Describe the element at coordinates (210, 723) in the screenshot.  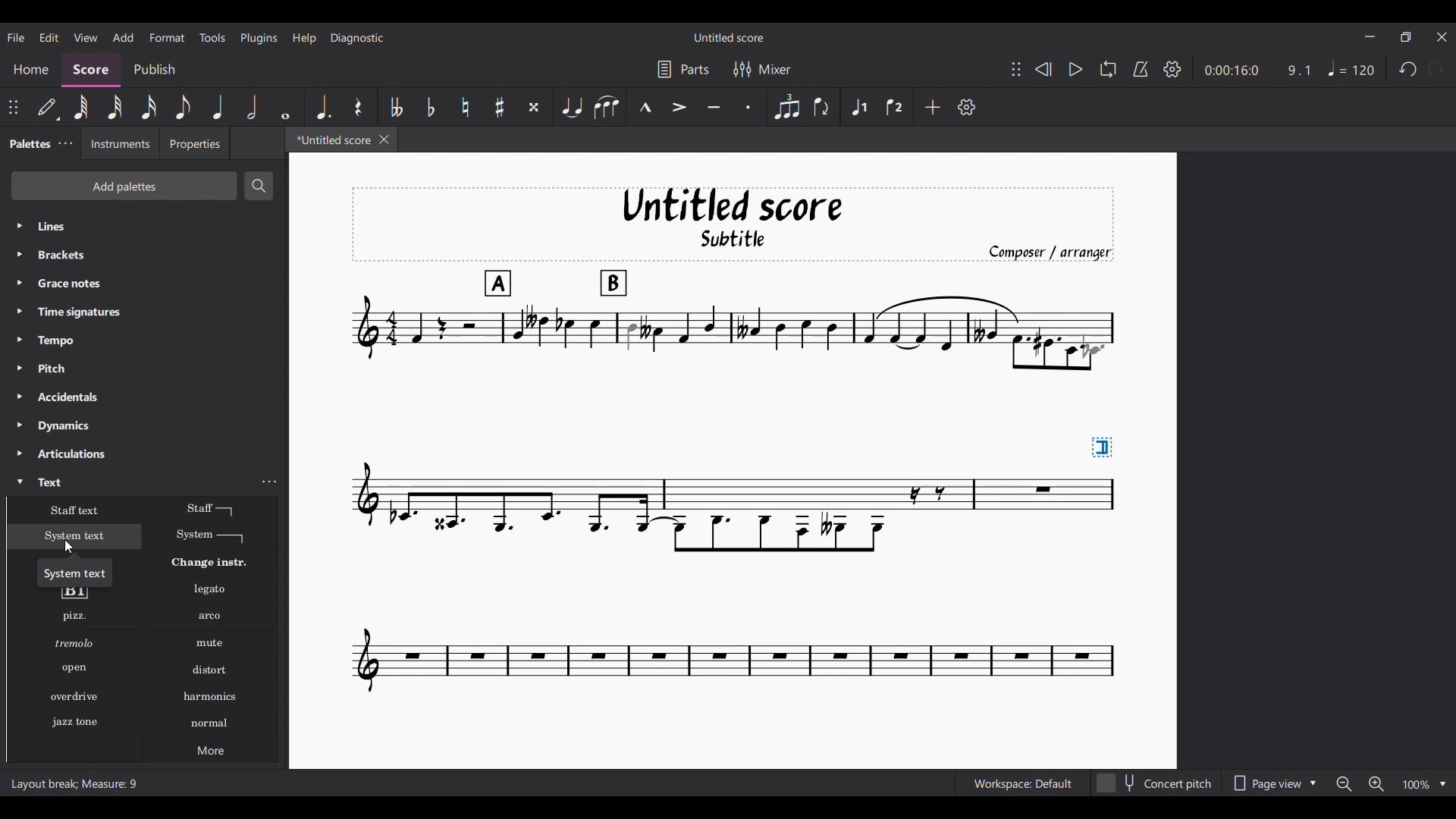
I see `Normal` at that location.